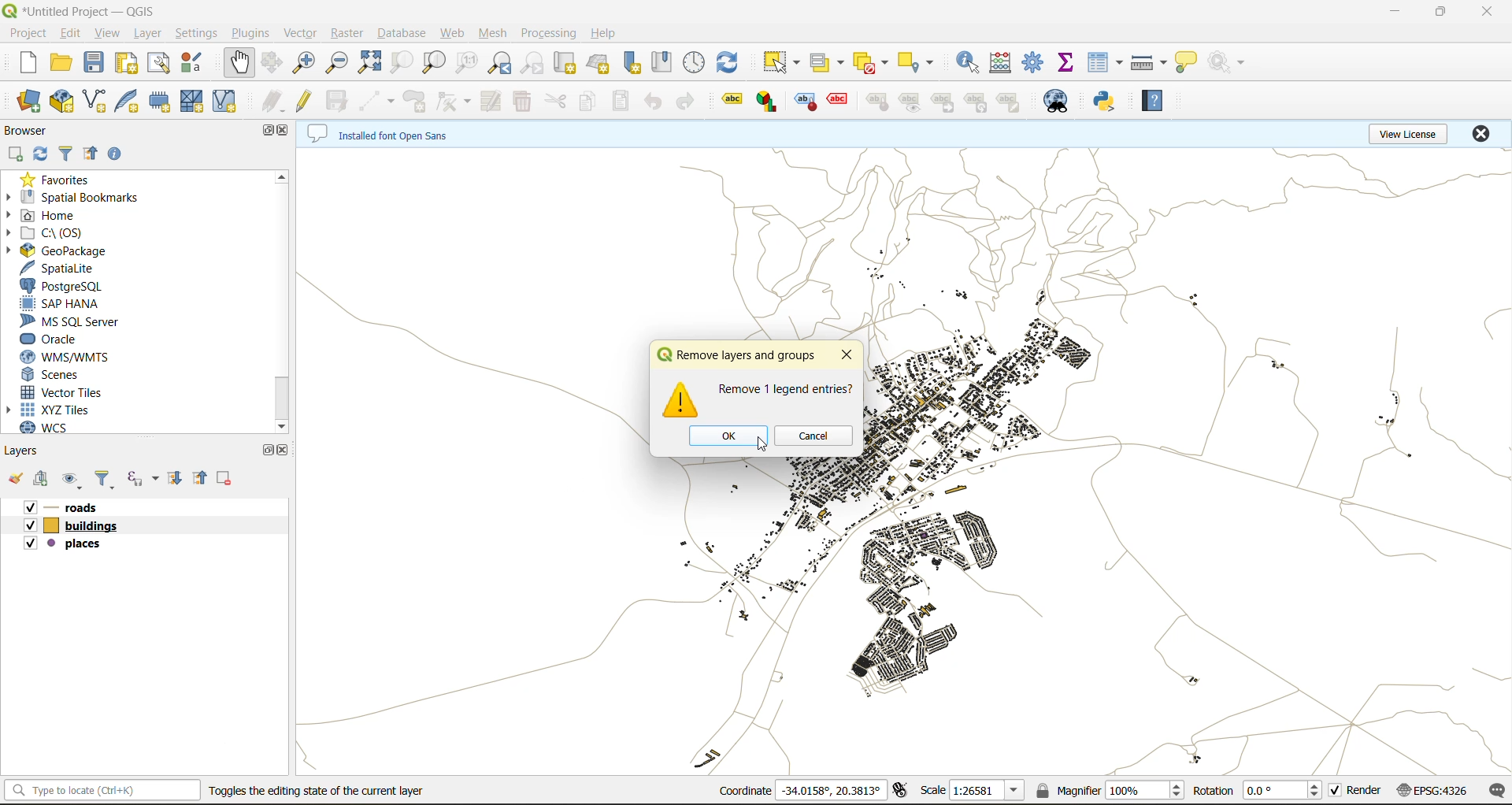 The height and width of the screenshot is (805, 1512). I want to click on help, so click(1152, 102).